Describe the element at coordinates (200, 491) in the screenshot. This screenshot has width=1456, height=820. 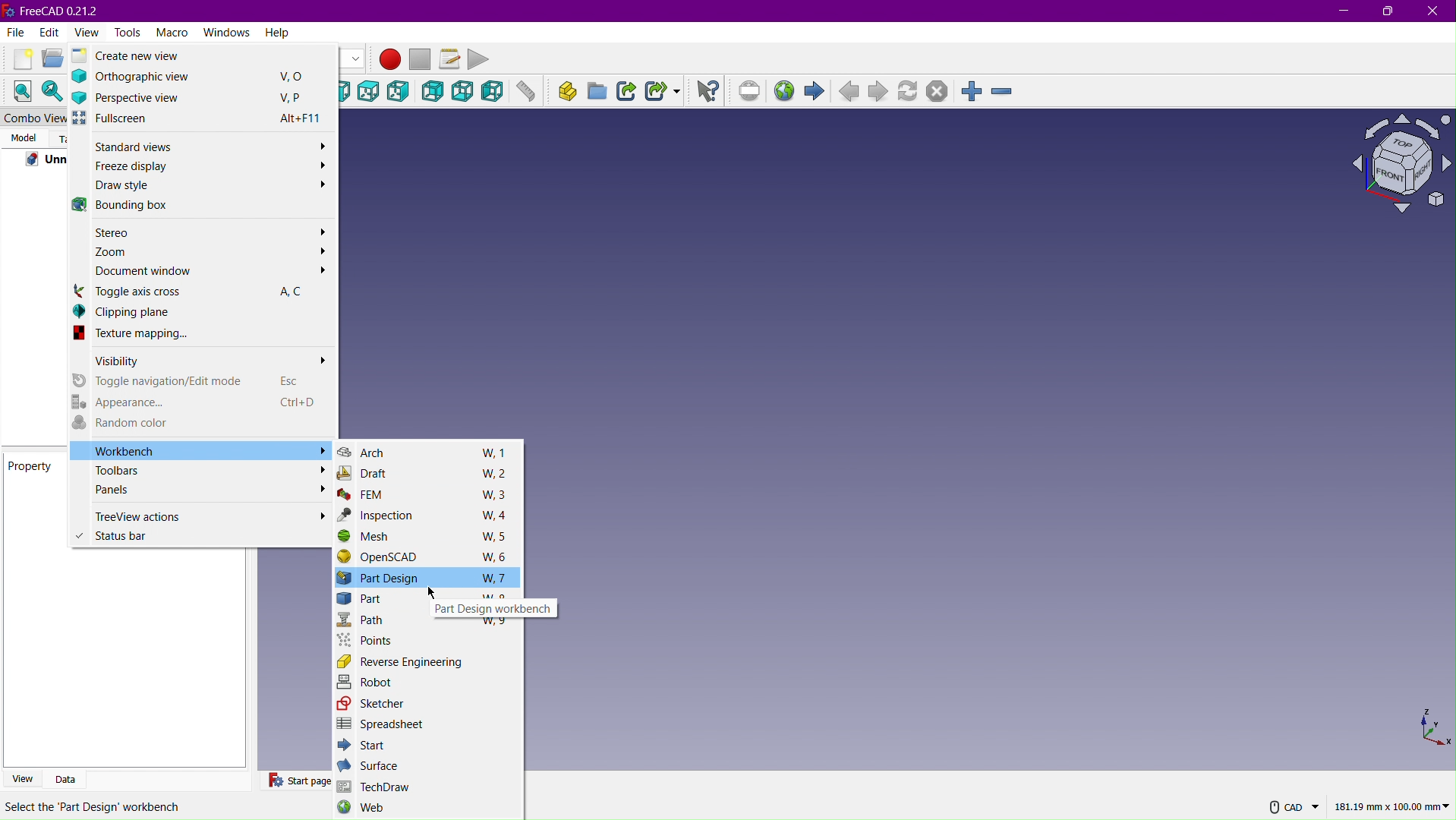
I see `Panels` at that location.